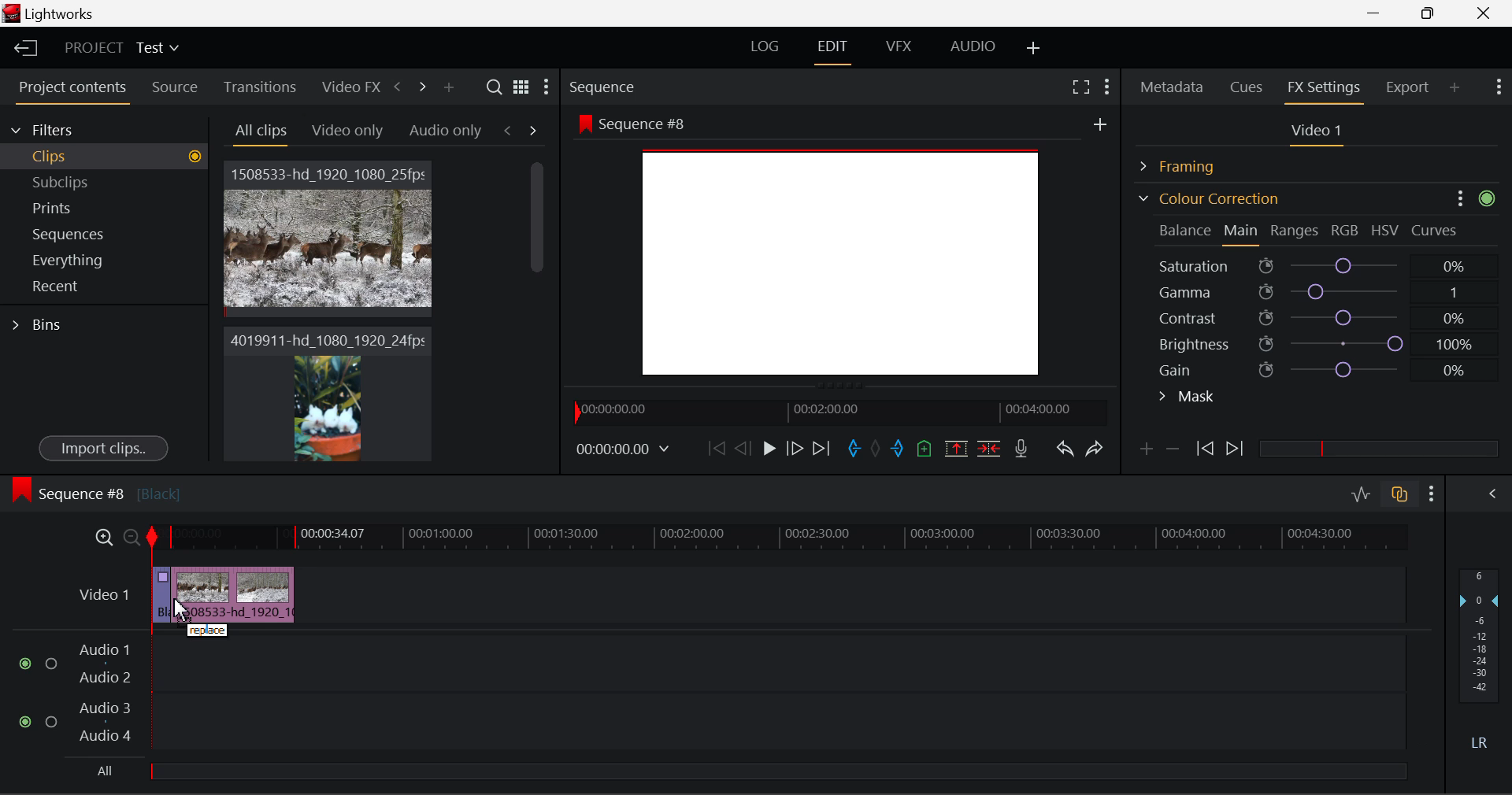  I want to click on Toggle list and title view, so click(521, 87).